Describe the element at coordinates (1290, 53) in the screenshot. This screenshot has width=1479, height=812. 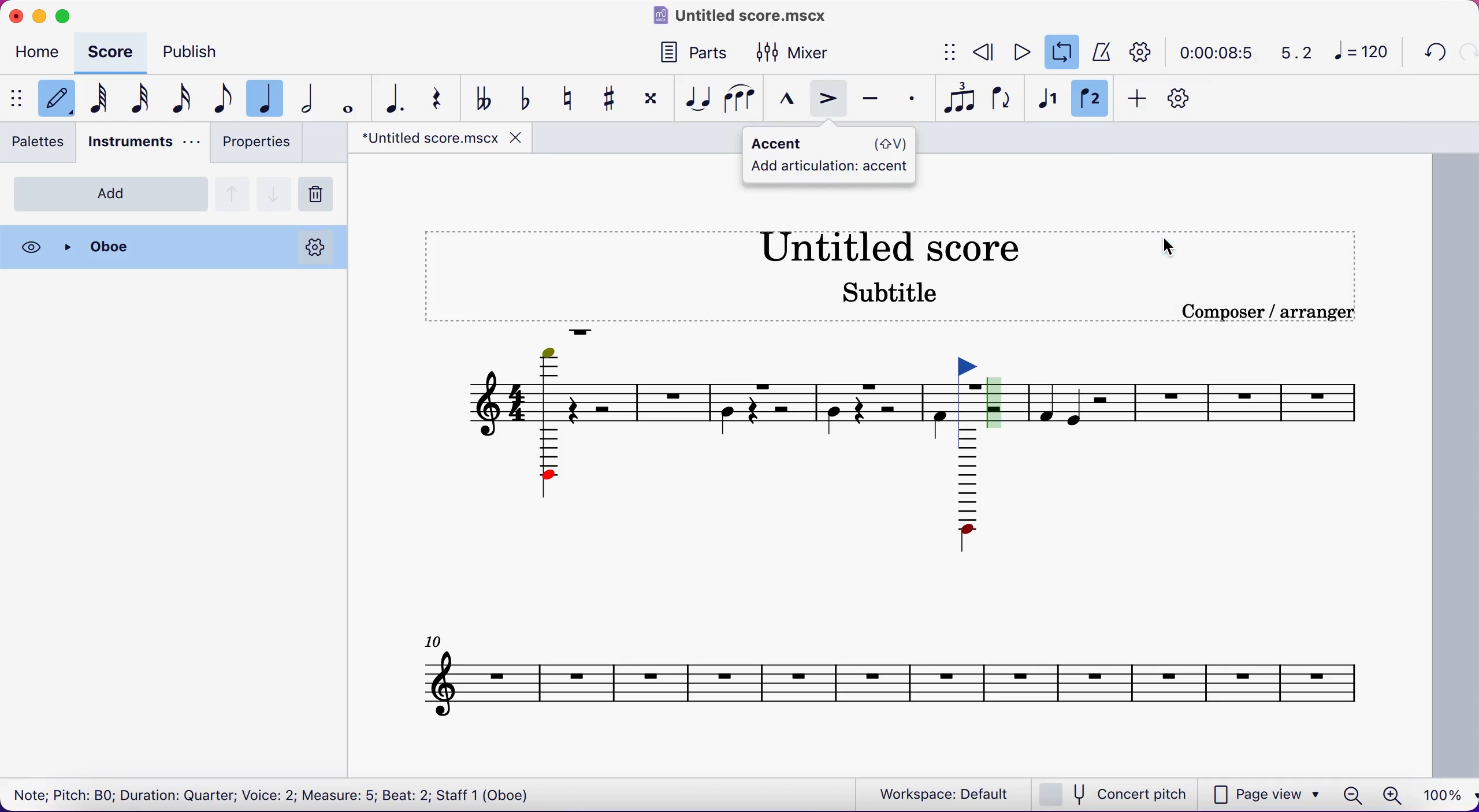
I see `5.2` at that location.